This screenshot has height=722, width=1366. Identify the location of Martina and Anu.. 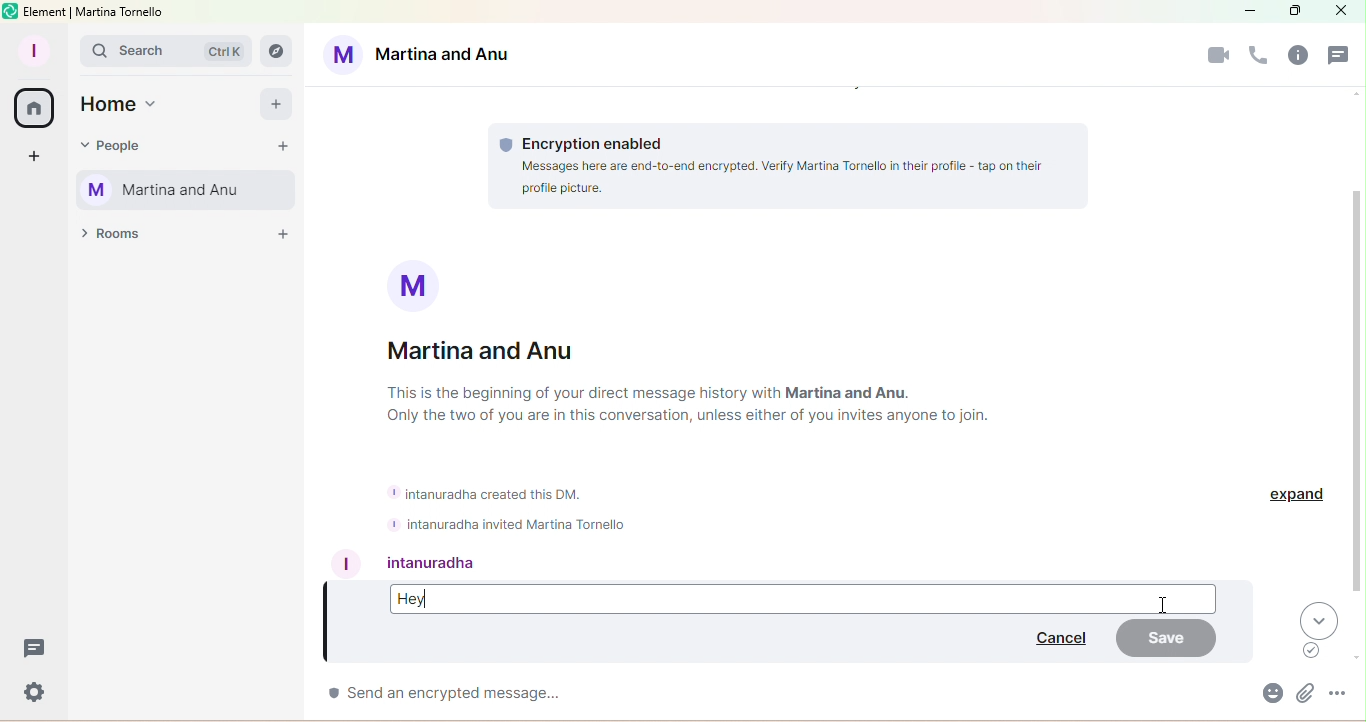
(849, 393).